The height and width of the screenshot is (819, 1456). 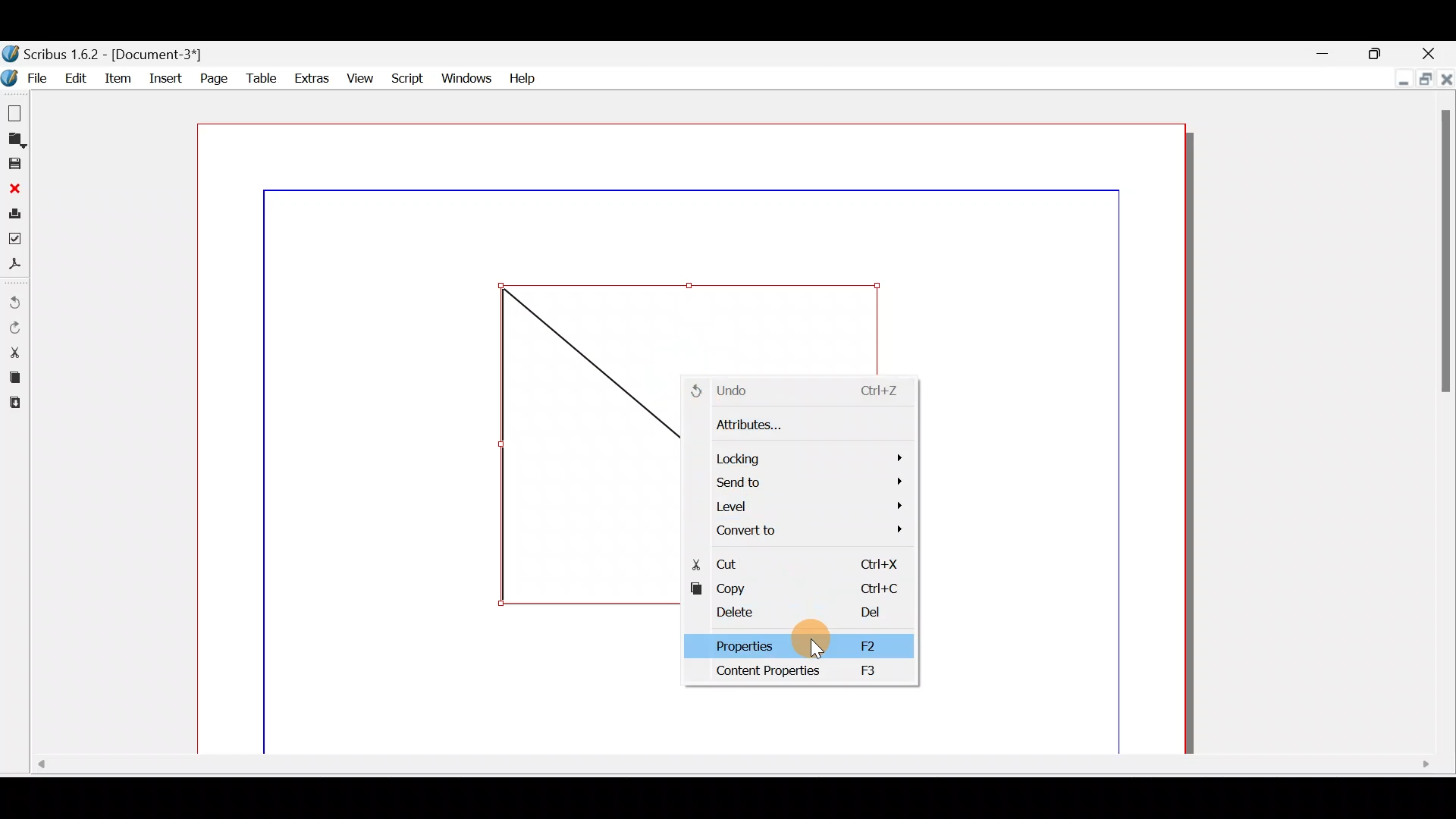 What do you see at coordinates (308, 76) in the screenshot?
I see `Extras` at bounding box center [308, 76].